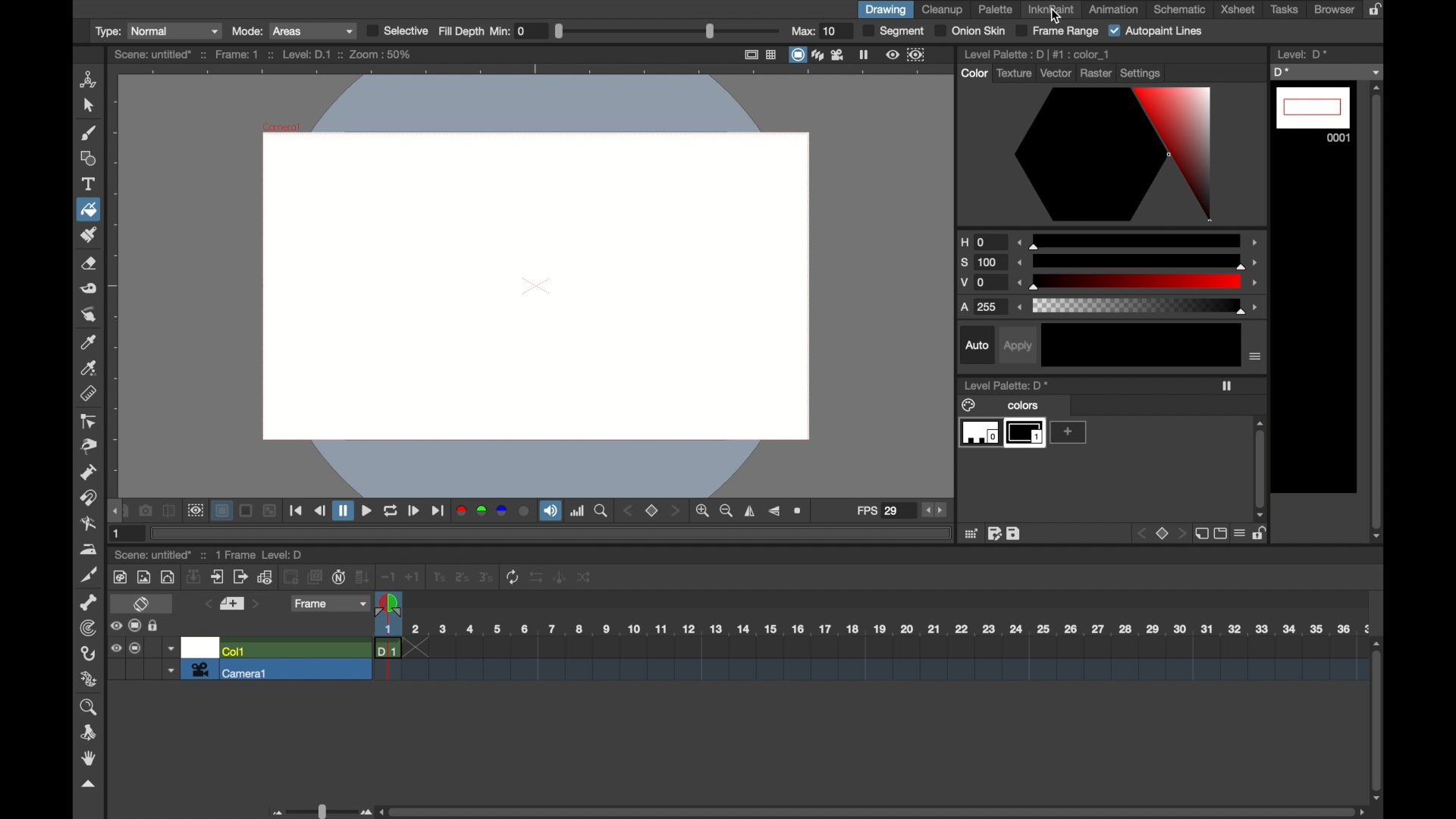 The width and height of the screenshot is (1456, 819). I want to click on Scene: untitled* :: Frame: 1 : Level: D.1 :: Zoom: 50%, so click(263, 54).